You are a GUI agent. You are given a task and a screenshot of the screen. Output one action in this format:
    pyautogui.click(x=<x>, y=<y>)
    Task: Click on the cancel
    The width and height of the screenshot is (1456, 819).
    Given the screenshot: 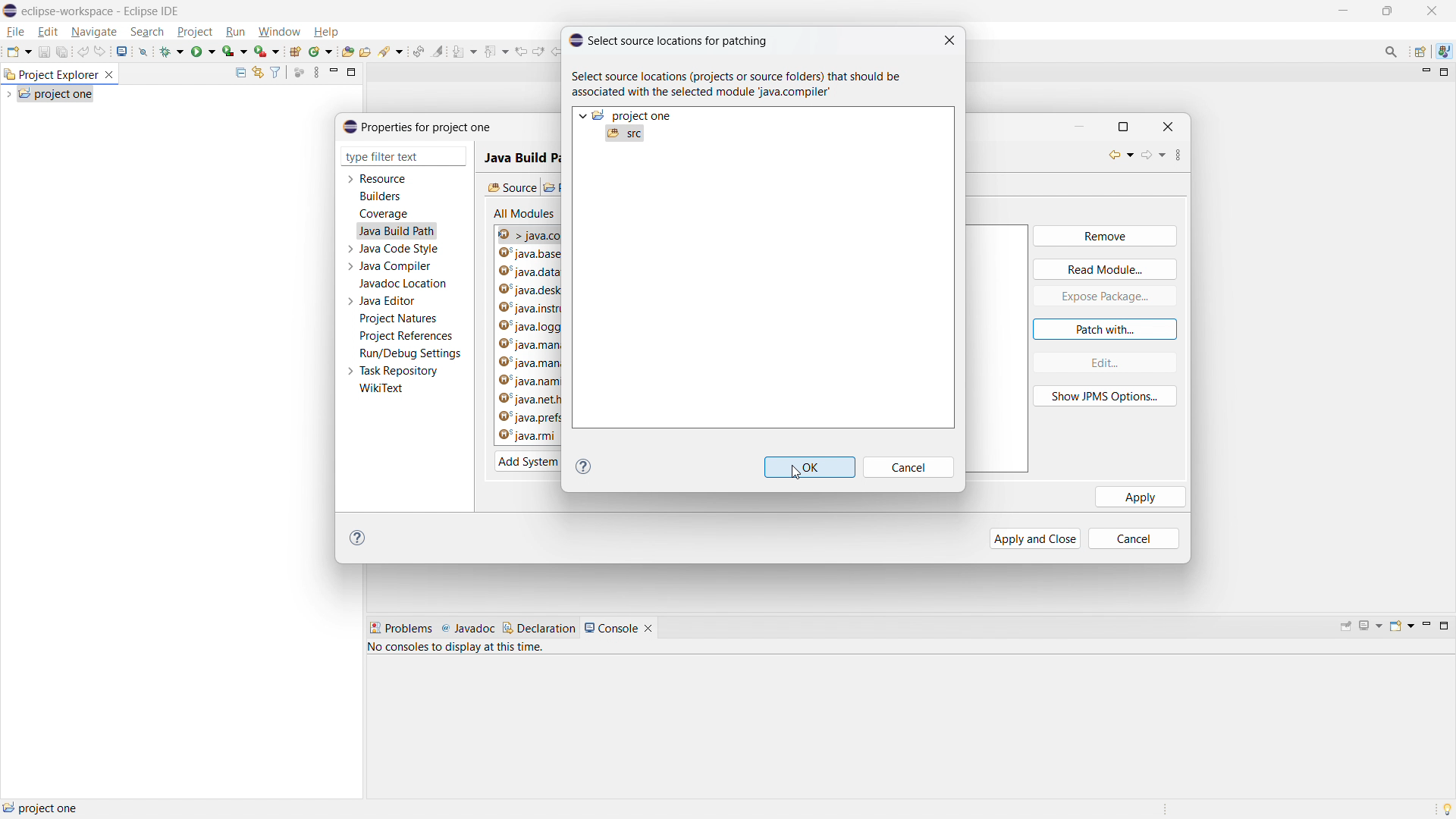 What is the action you would take?
    pyautogui.click(x=910, y=468)
    